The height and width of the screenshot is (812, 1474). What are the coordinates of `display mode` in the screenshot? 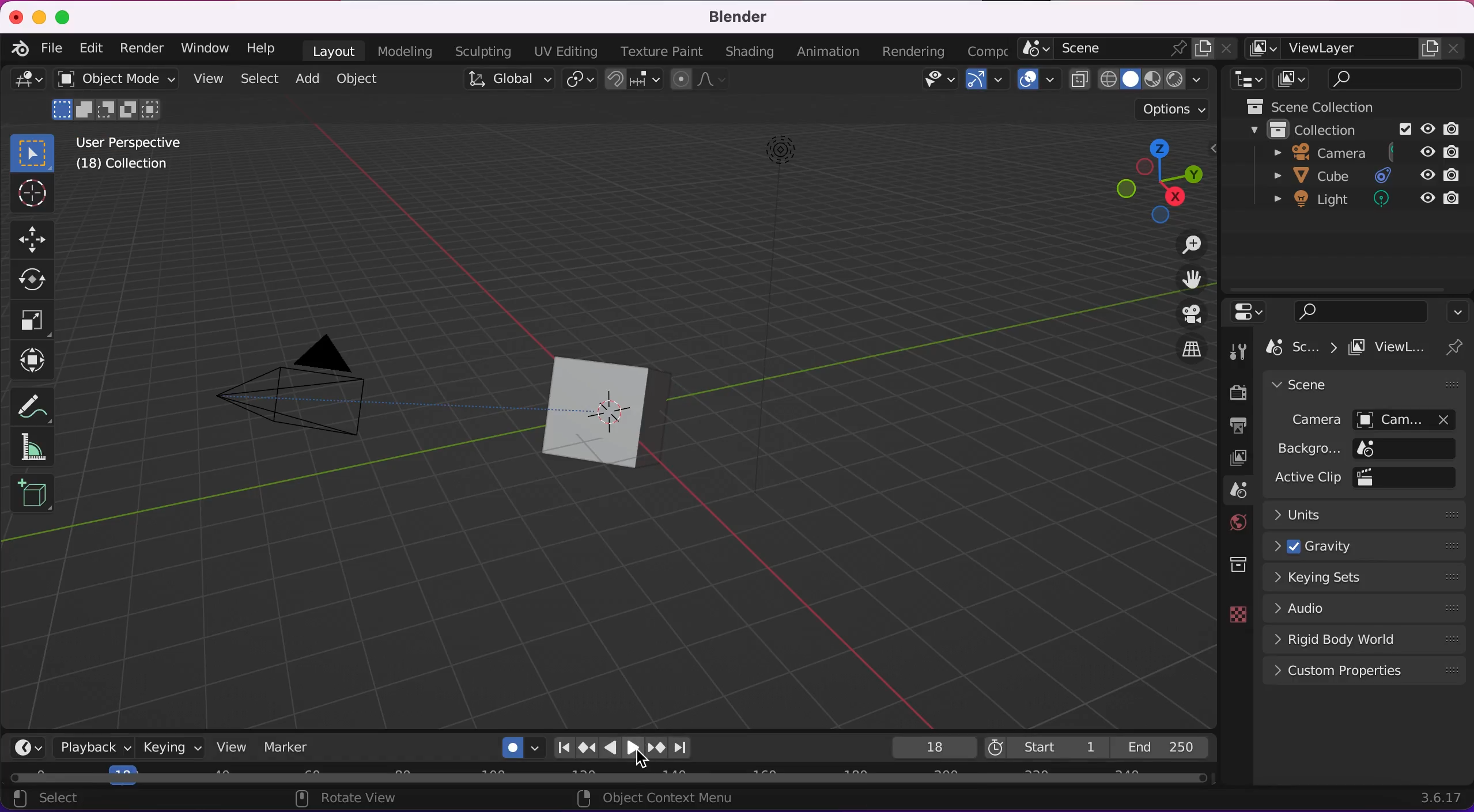 It's located at (1294, 79).